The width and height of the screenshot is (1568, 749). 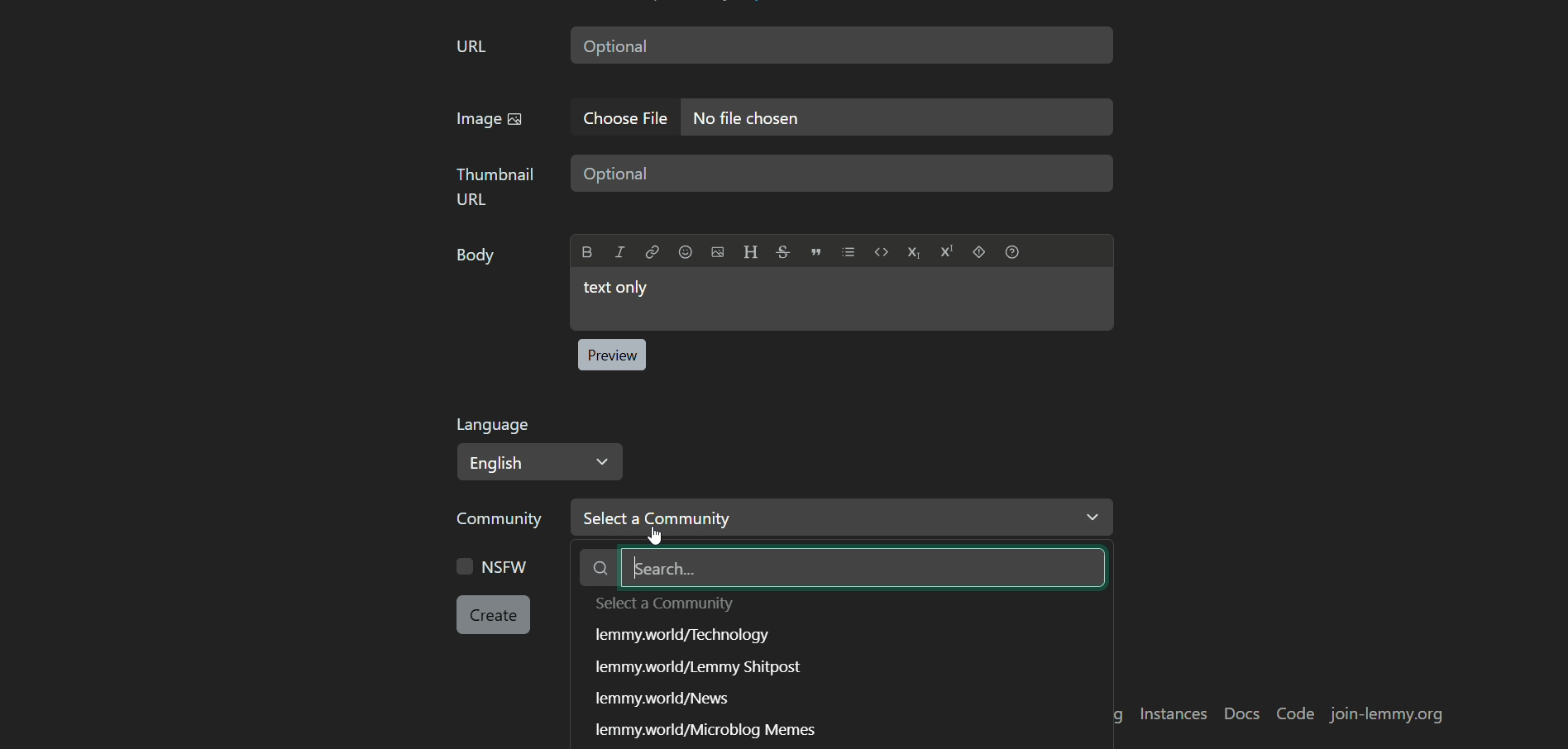 I want to click on text, so click(x=699, y=666).